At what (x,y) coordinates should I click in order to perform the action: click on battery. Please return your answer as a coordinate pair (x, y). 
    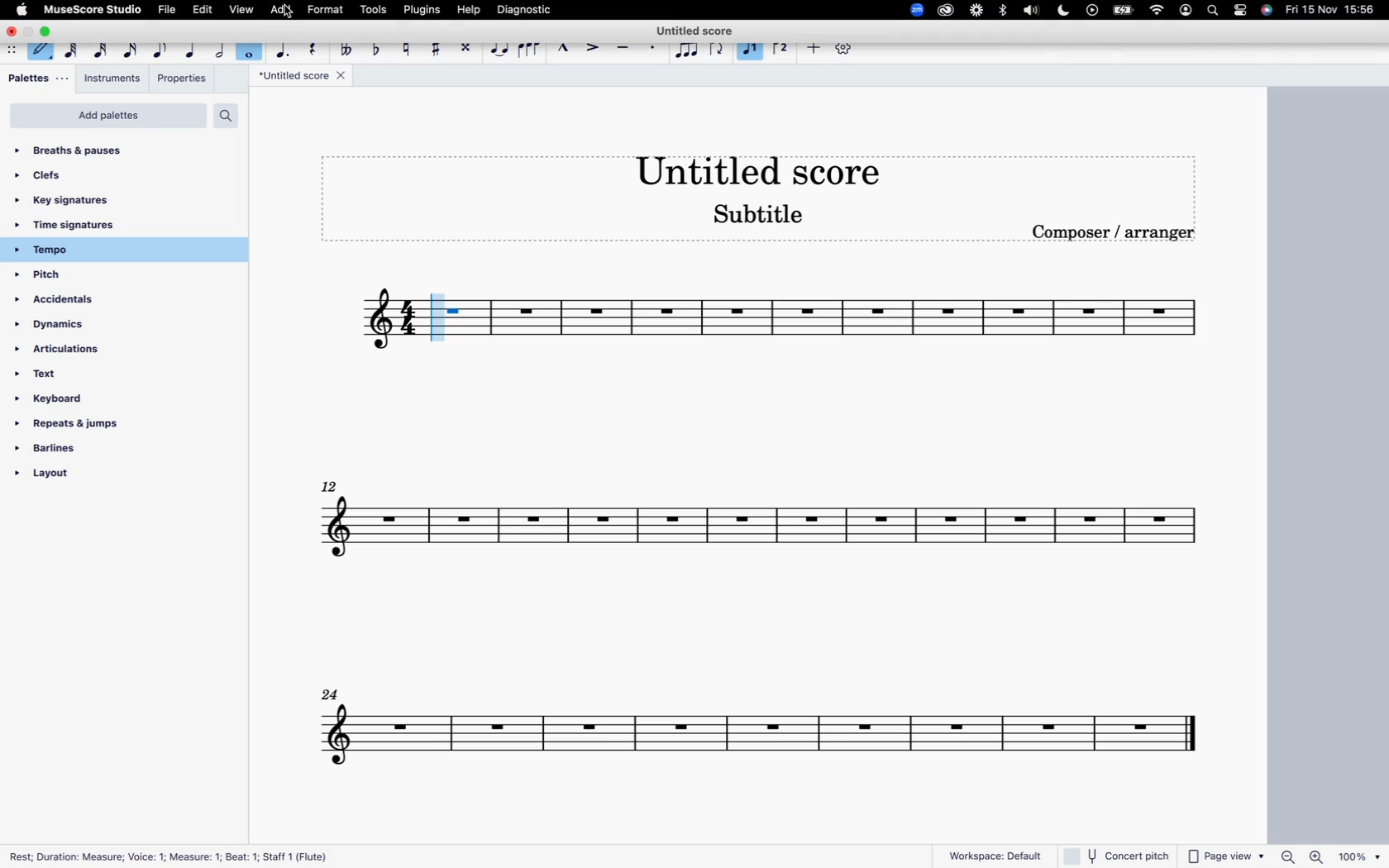
    Looking at the image, I should click on (1124, 12).